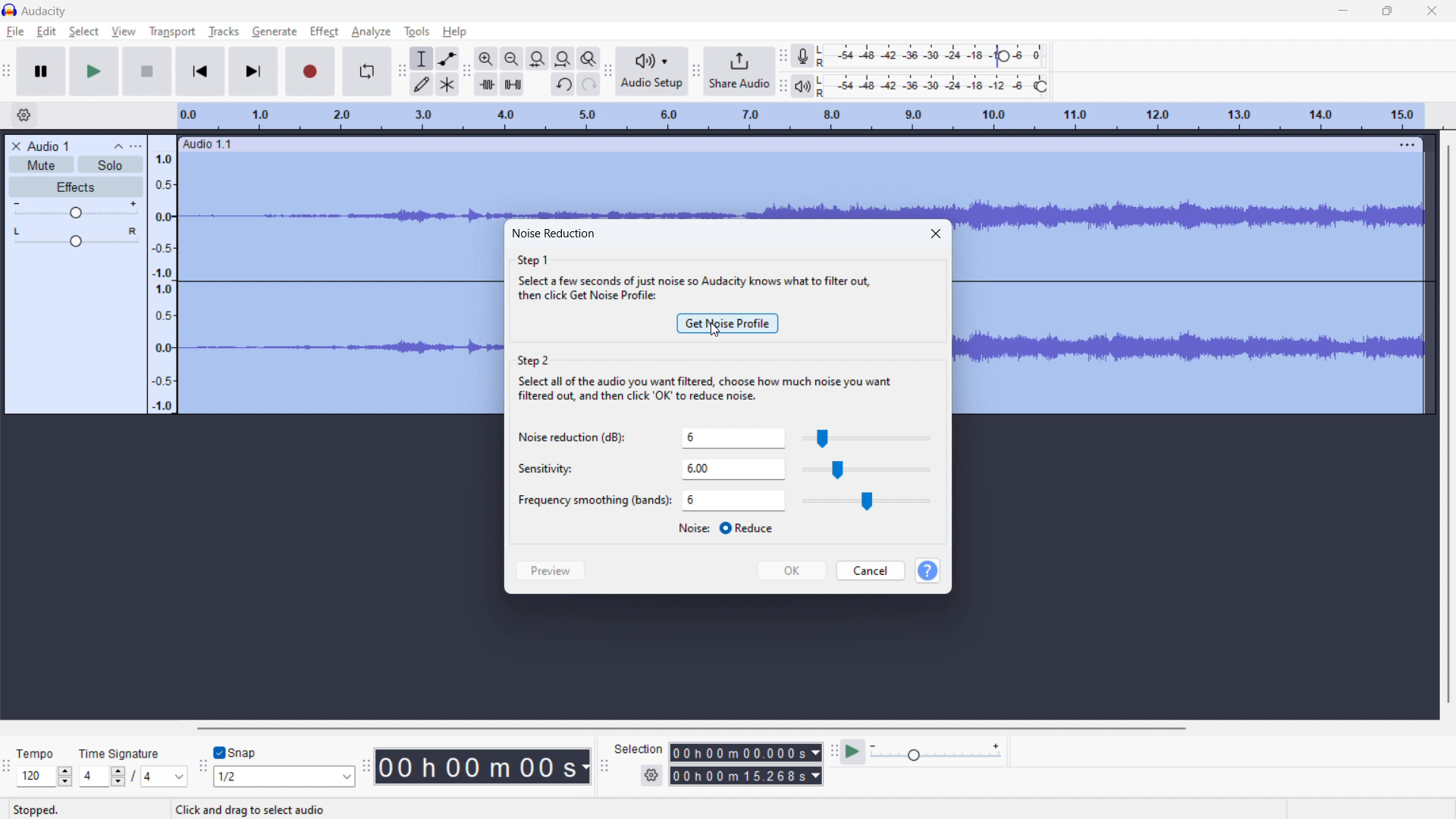 The width and height of the screenshot is (1456, 819). Describe the element at coordinates (162, 275) in the screenshot. I see `amplitude` at that location.